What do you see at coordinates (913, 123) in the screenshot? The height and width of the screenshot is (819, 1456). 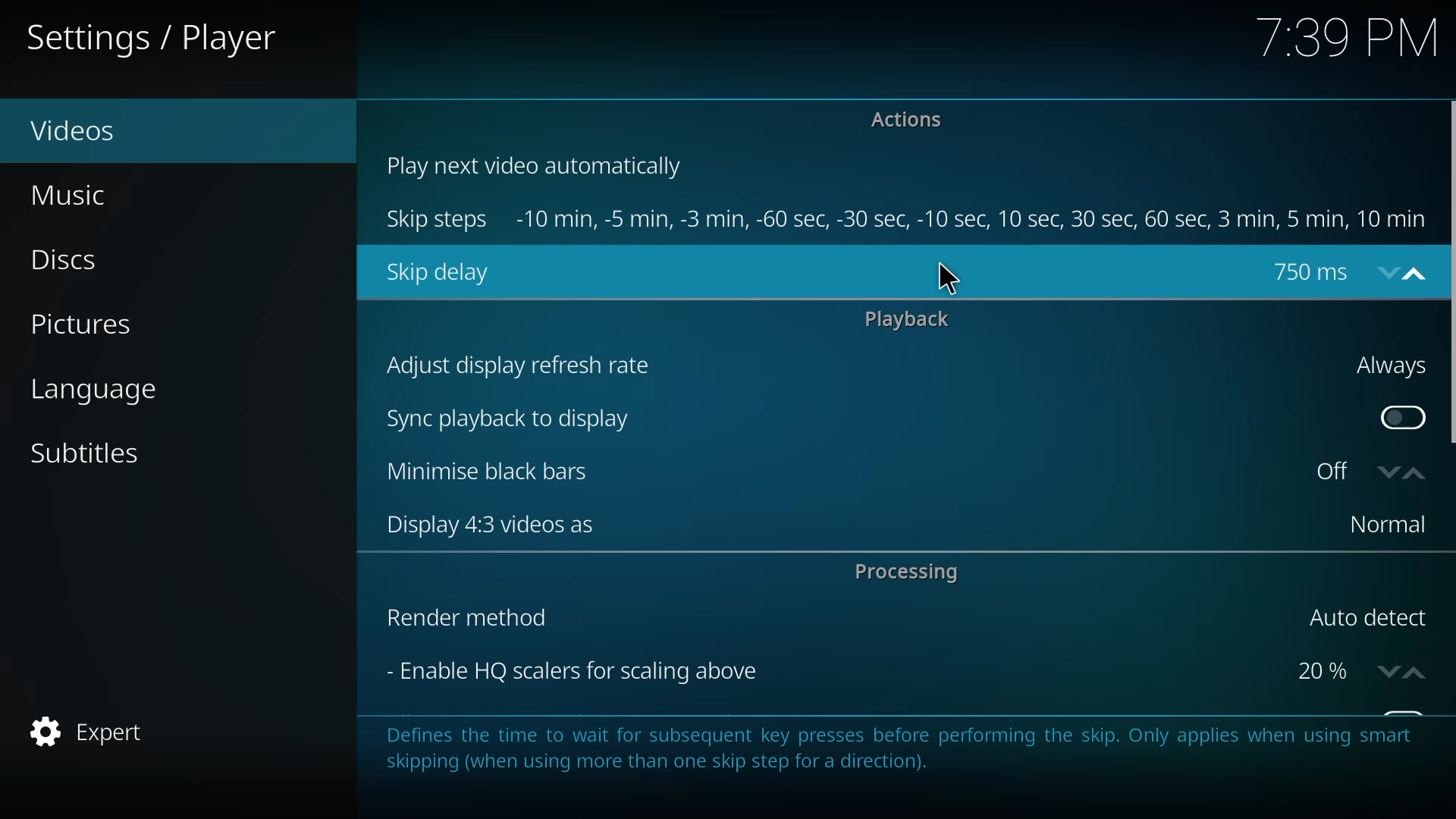 I see `actions` at bounding box center [913, 123].